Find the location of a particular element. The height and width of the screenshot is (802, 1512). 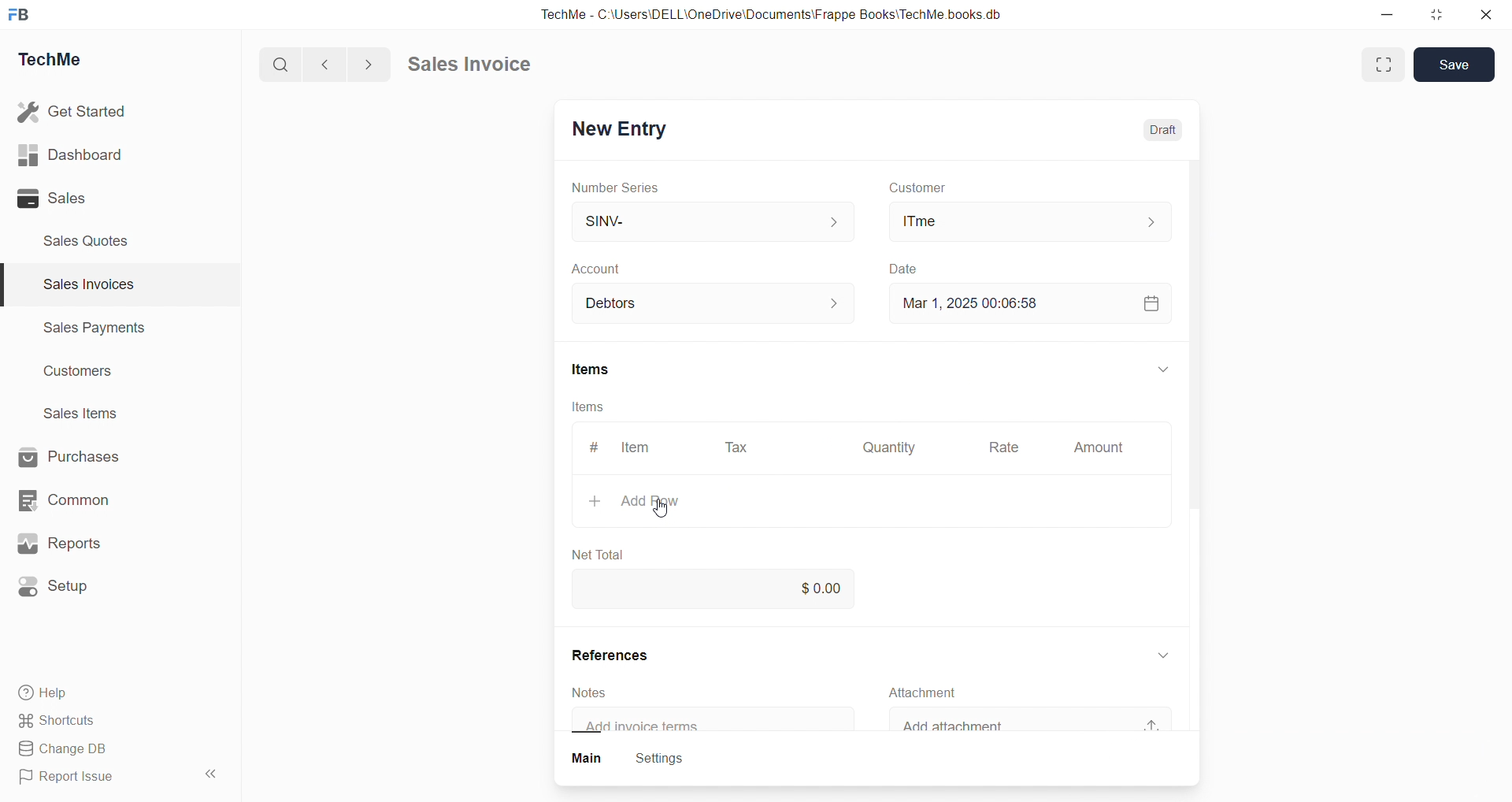

Customers is located at coordinates (87, 375).